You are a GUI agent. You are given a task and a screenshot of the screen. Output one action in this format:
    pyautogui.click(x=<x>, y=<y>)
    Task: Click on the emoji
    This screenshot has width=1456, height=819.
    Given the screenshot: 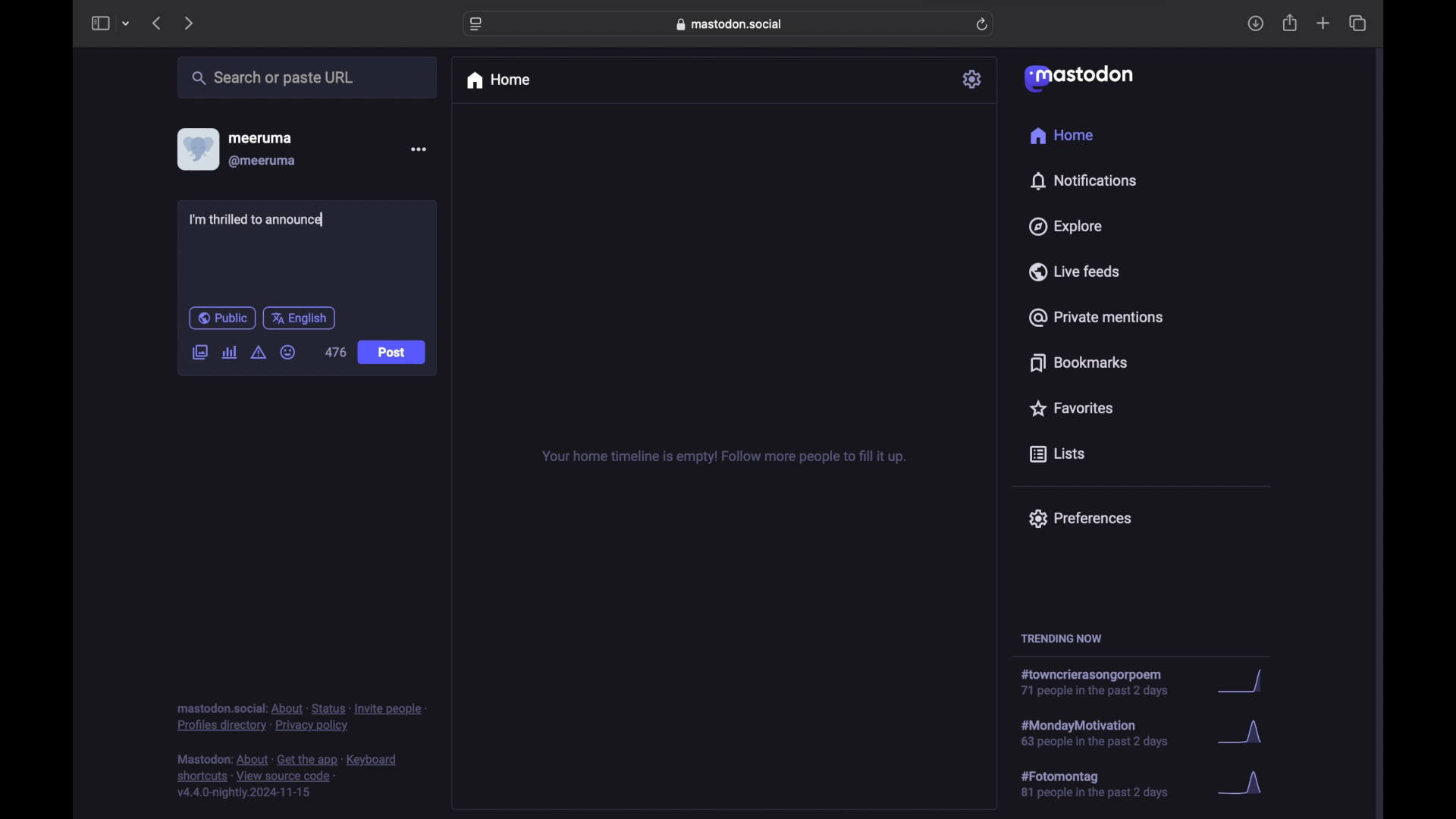 What is the action you would take?
    pyautogui.click(x=287, y=352)
    